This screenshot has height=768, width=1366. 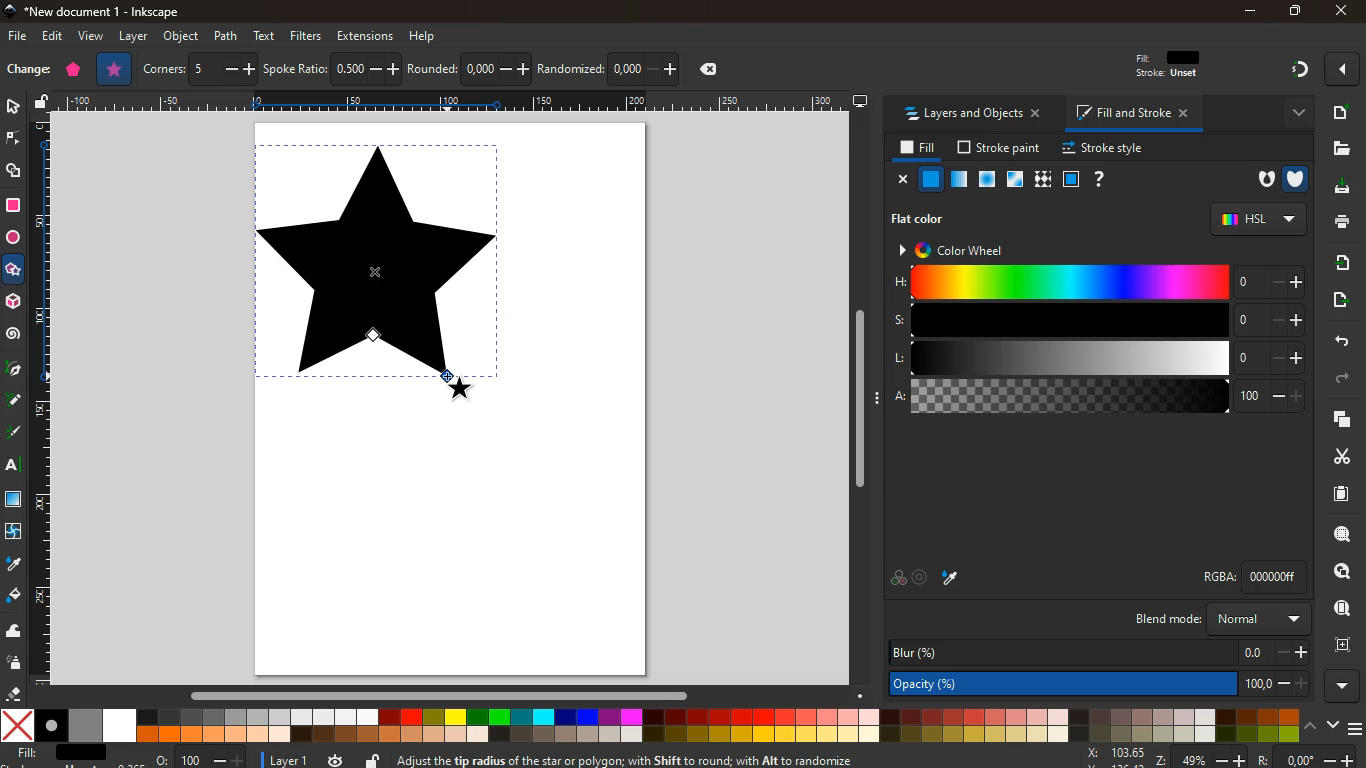 I want to click on layers, so click(x=1334, y=419).